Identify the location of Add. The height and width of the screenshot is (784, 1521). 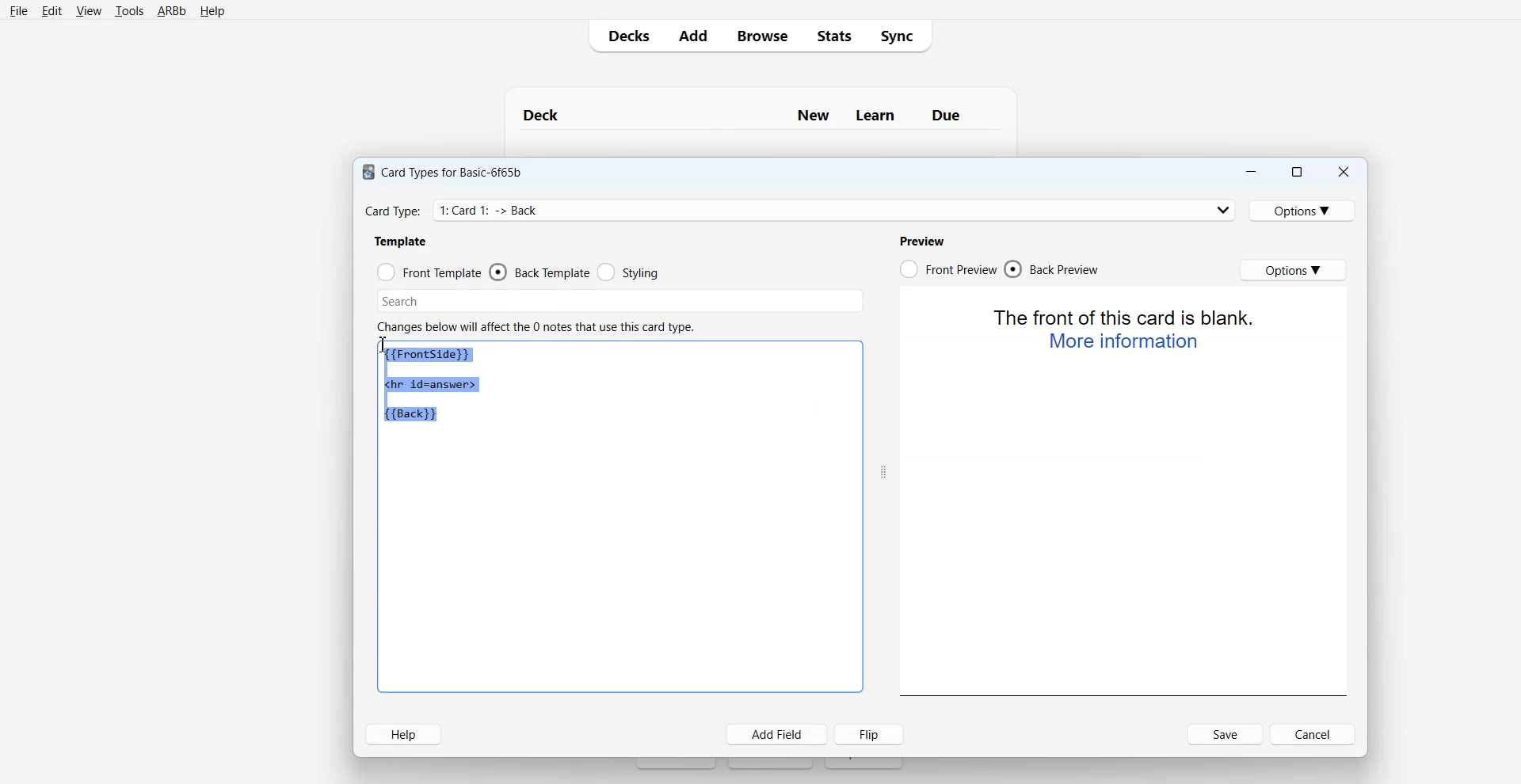
(692, 36).